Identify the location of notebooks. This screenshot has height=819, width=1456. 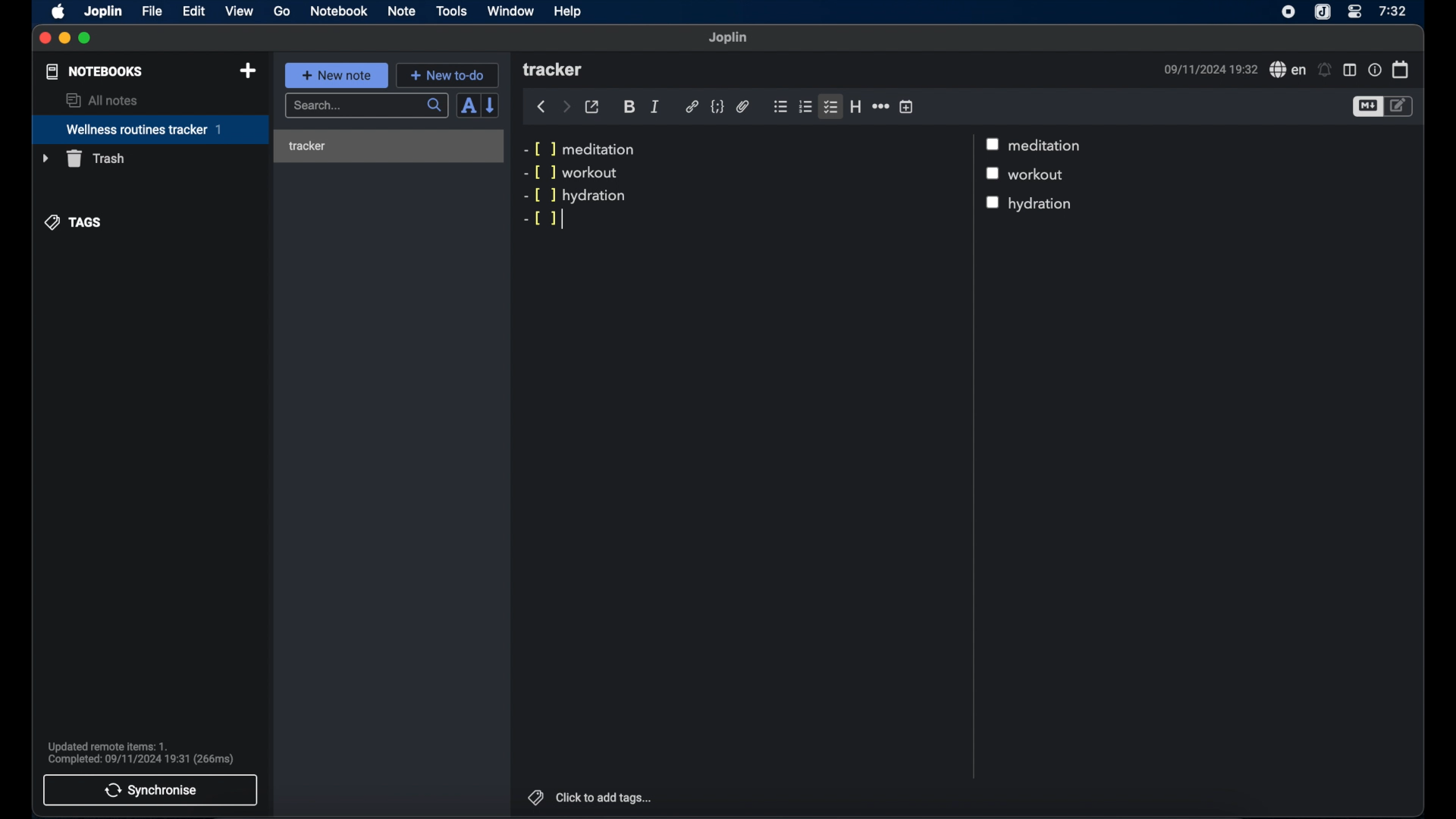
(95, 71).